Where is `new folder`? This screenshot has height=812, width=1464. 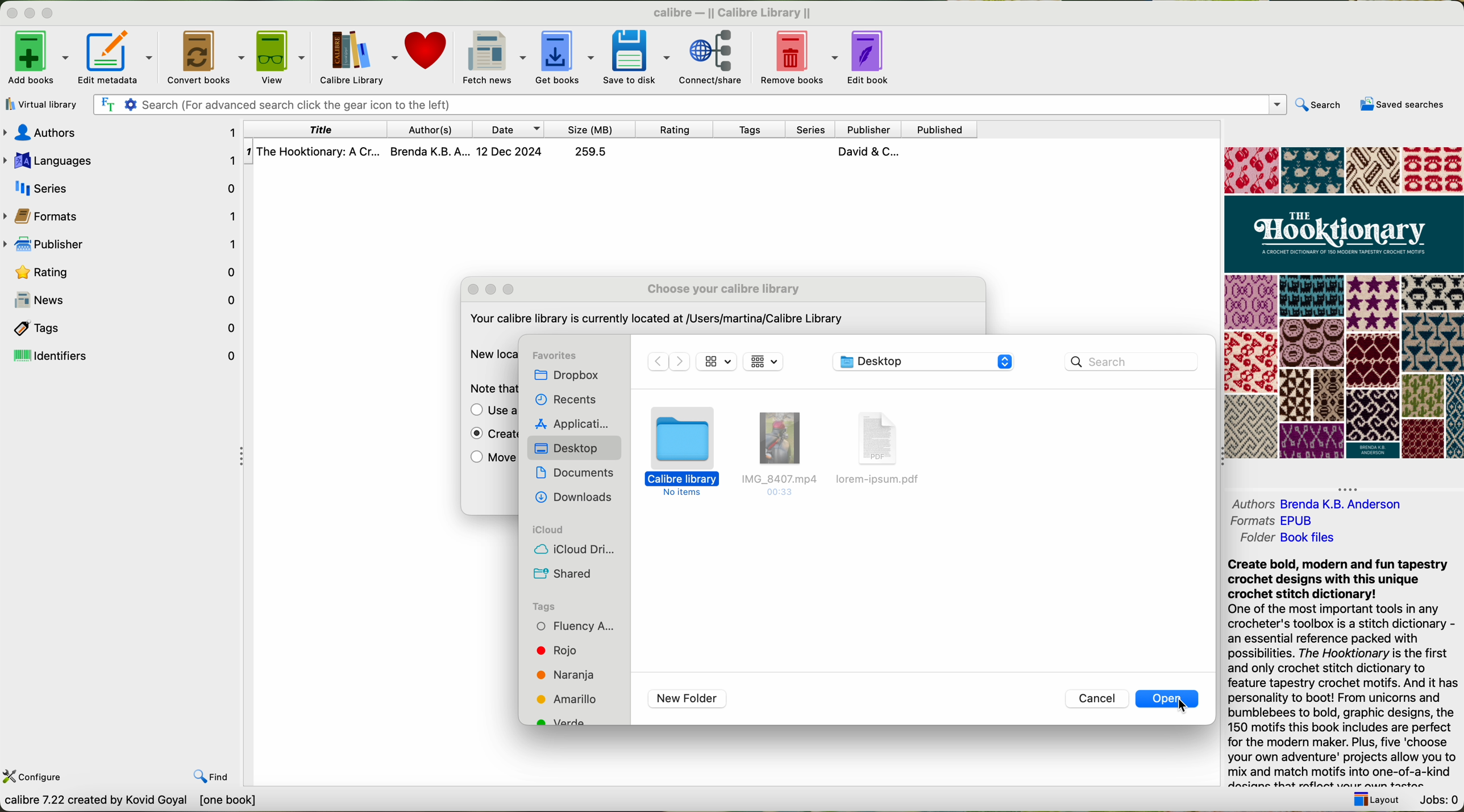 new folder is located at coordinates (687, 699).